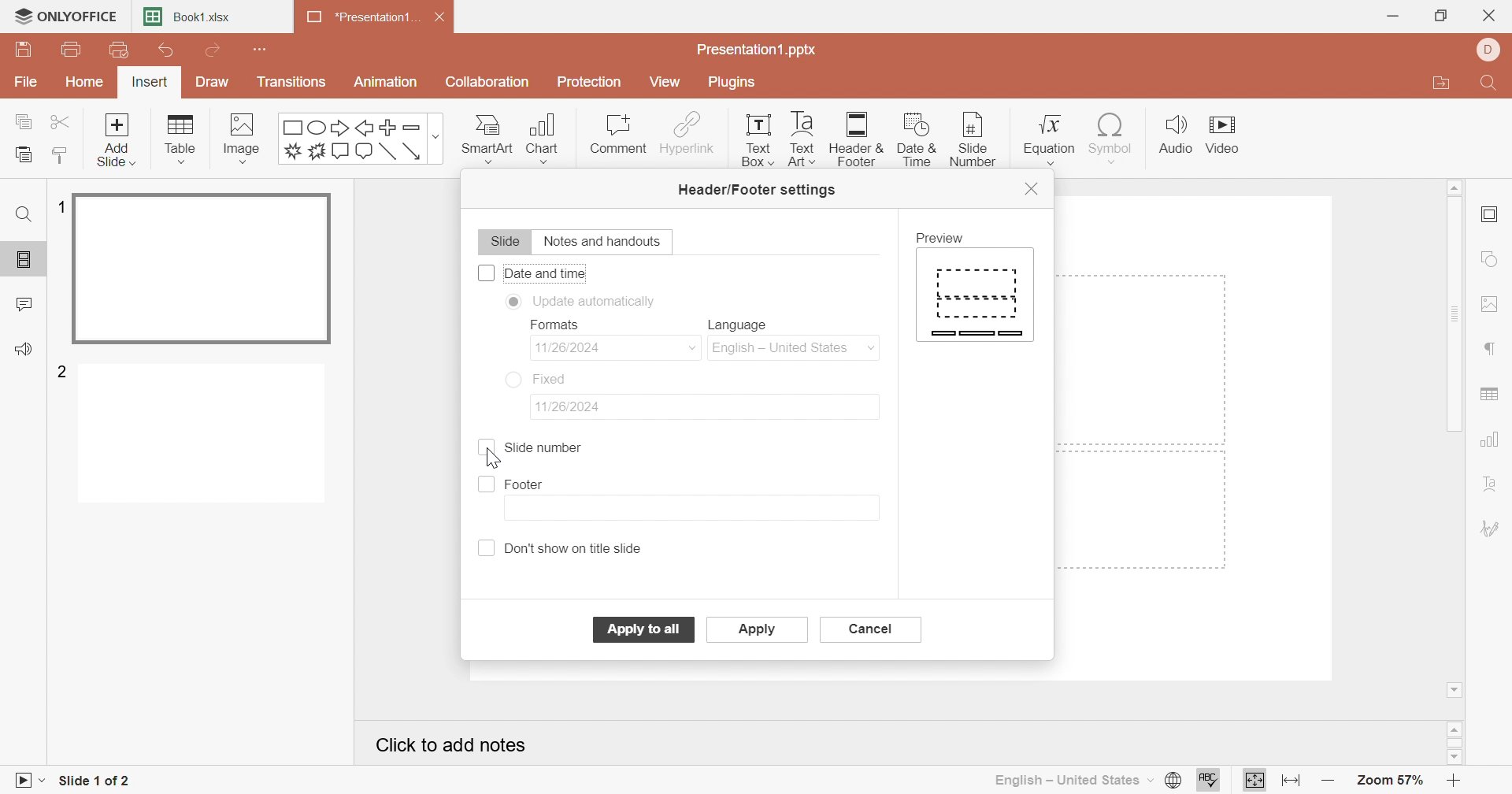 The height and width of the screenshot is (794, 1512). What do you see at coordinates (758, 50) in the screenshot?
I see `Presentation1.pptx` at bounding box center [758, 50].